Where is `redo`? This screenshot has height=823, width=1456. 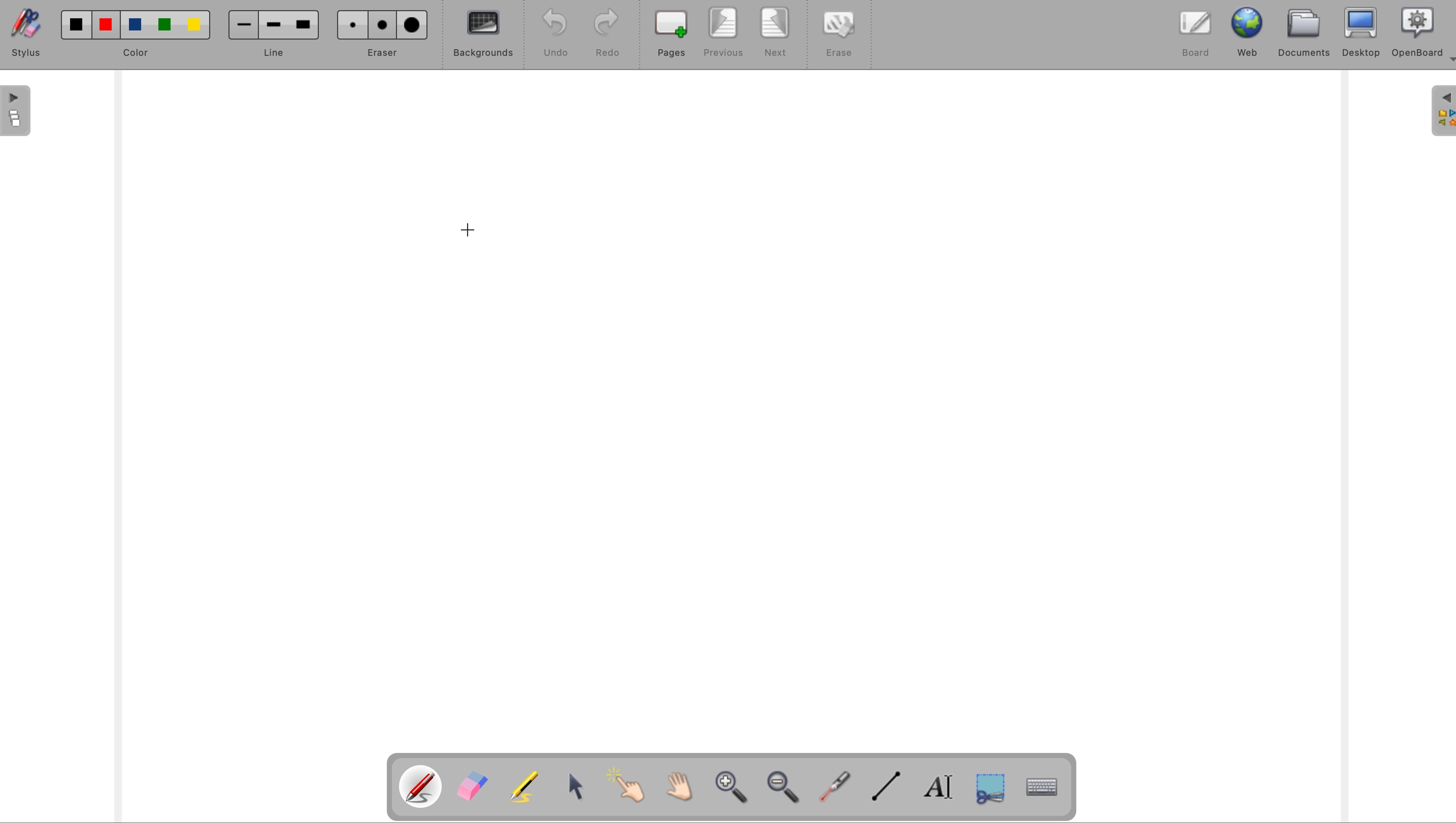 redo is located at coordinates (608, 34).